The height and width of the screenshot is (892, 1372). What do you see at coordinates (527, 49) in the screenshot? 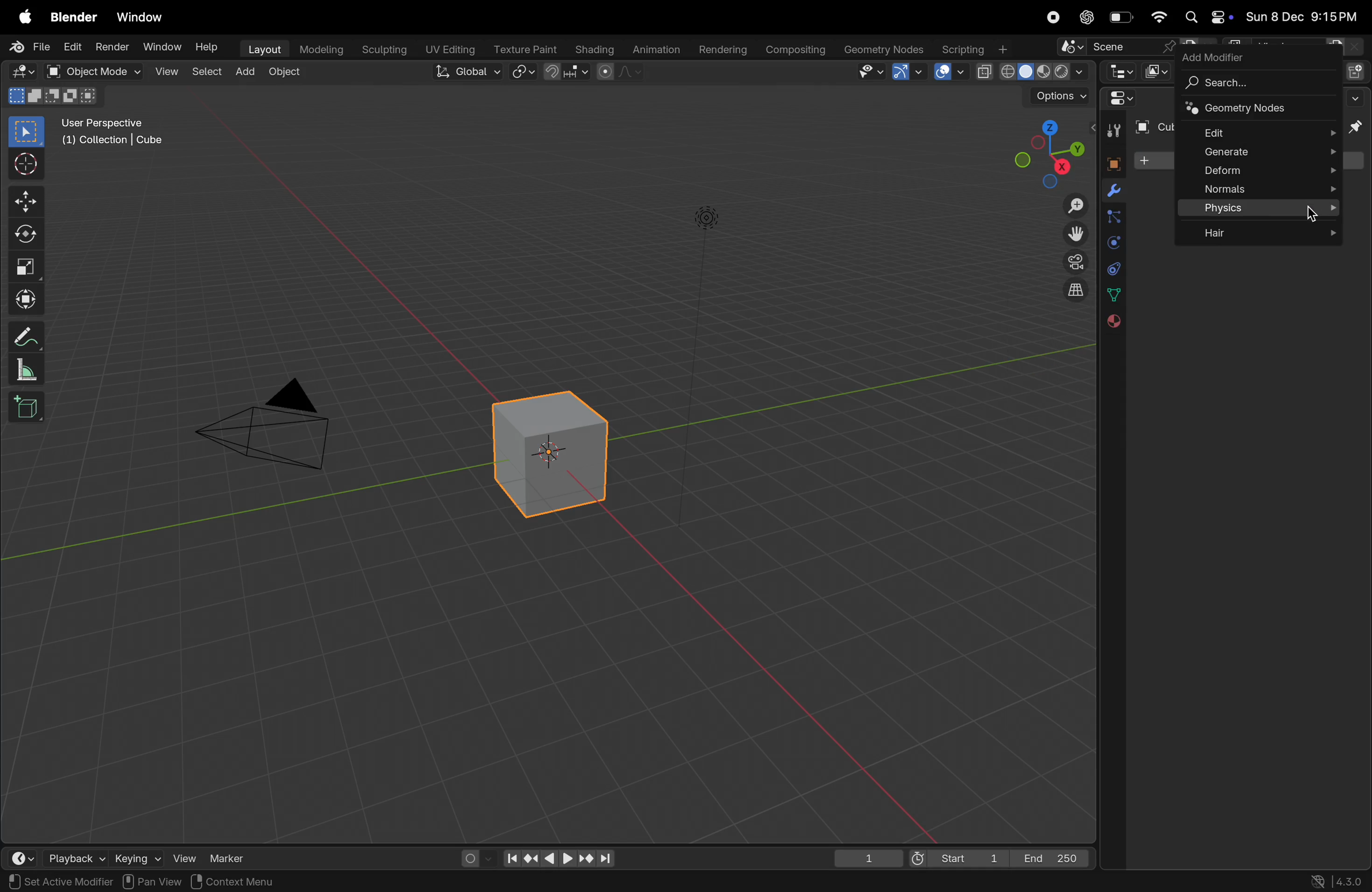
I see `texture point` at bounding box center [527, 49].